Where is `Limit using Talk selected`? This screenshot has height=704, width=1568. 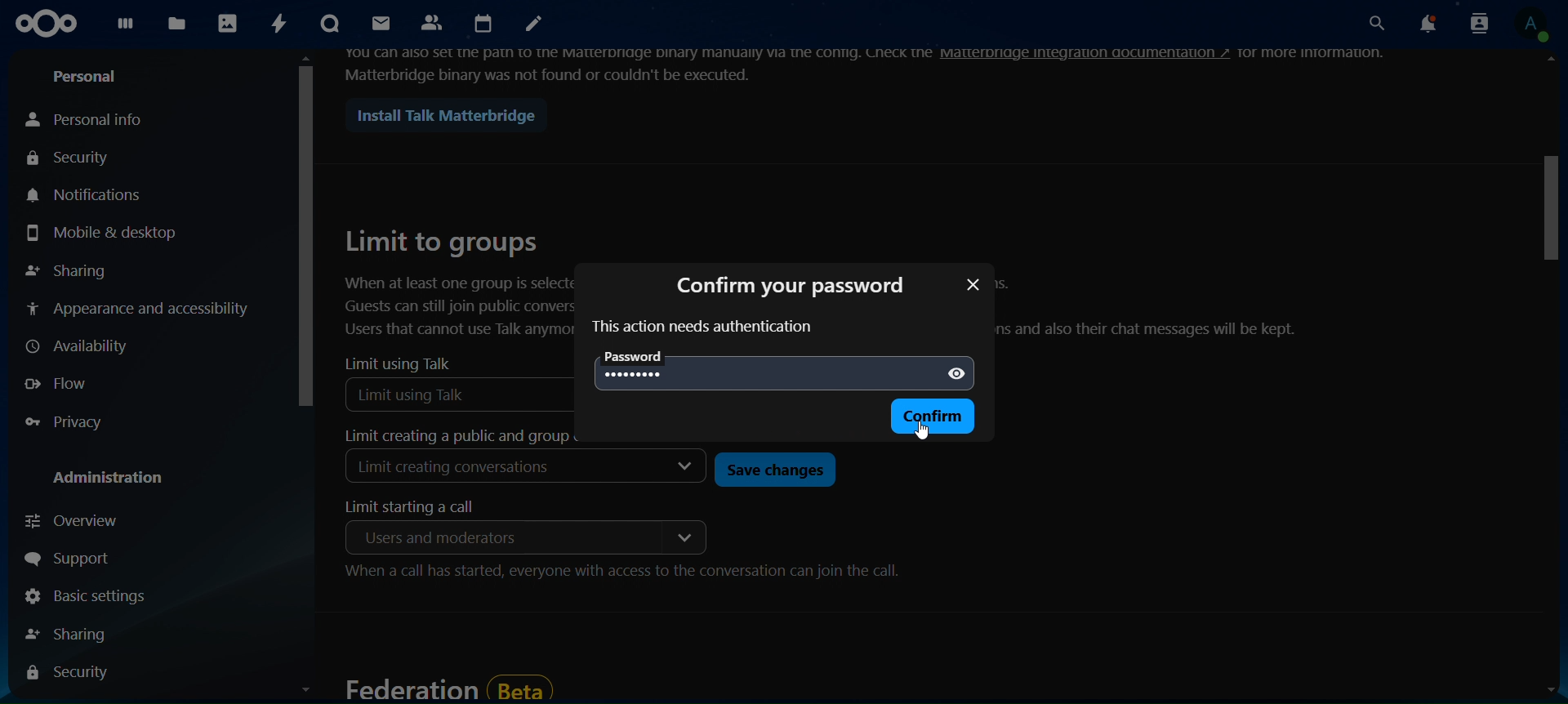
Limit using Talk selected is located at coordinates (461, 394).